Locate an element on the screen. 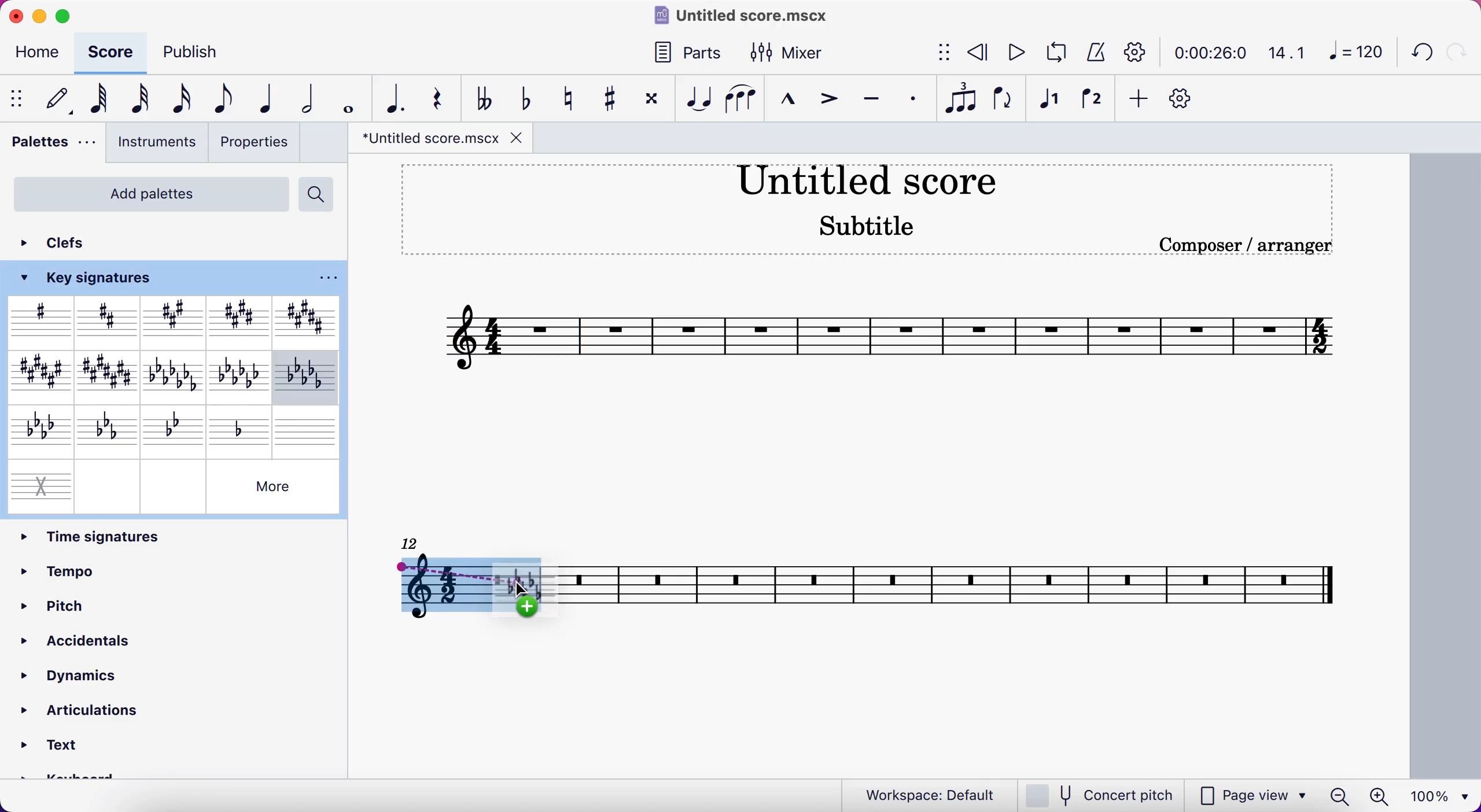 The height and width of the screenshot is (812, 1481). x is located at coordinates (39, 483).